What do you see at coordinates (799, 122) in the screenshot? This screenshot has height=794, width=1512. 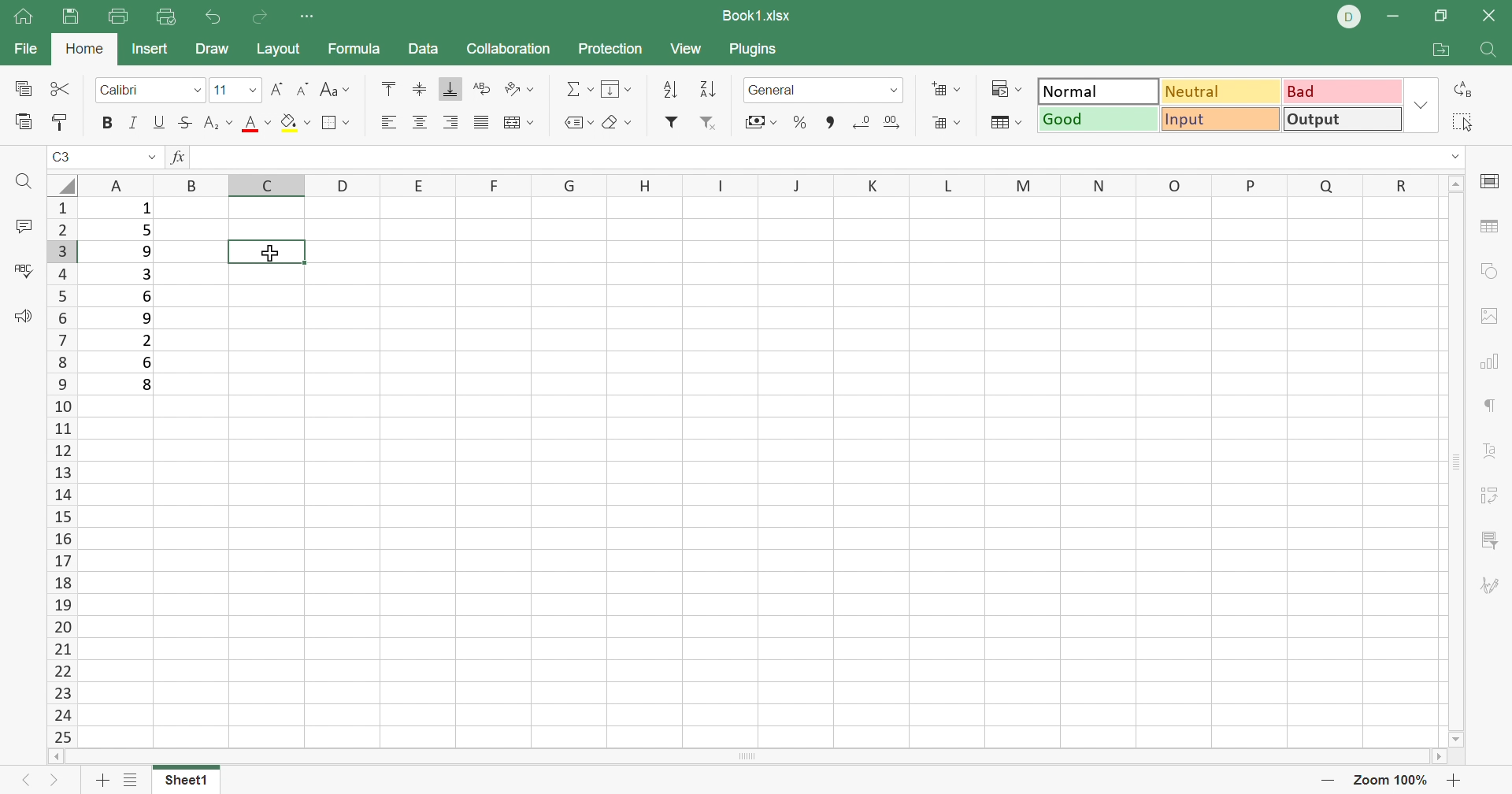 I see `Percent style` at bounding box center [799, 122].